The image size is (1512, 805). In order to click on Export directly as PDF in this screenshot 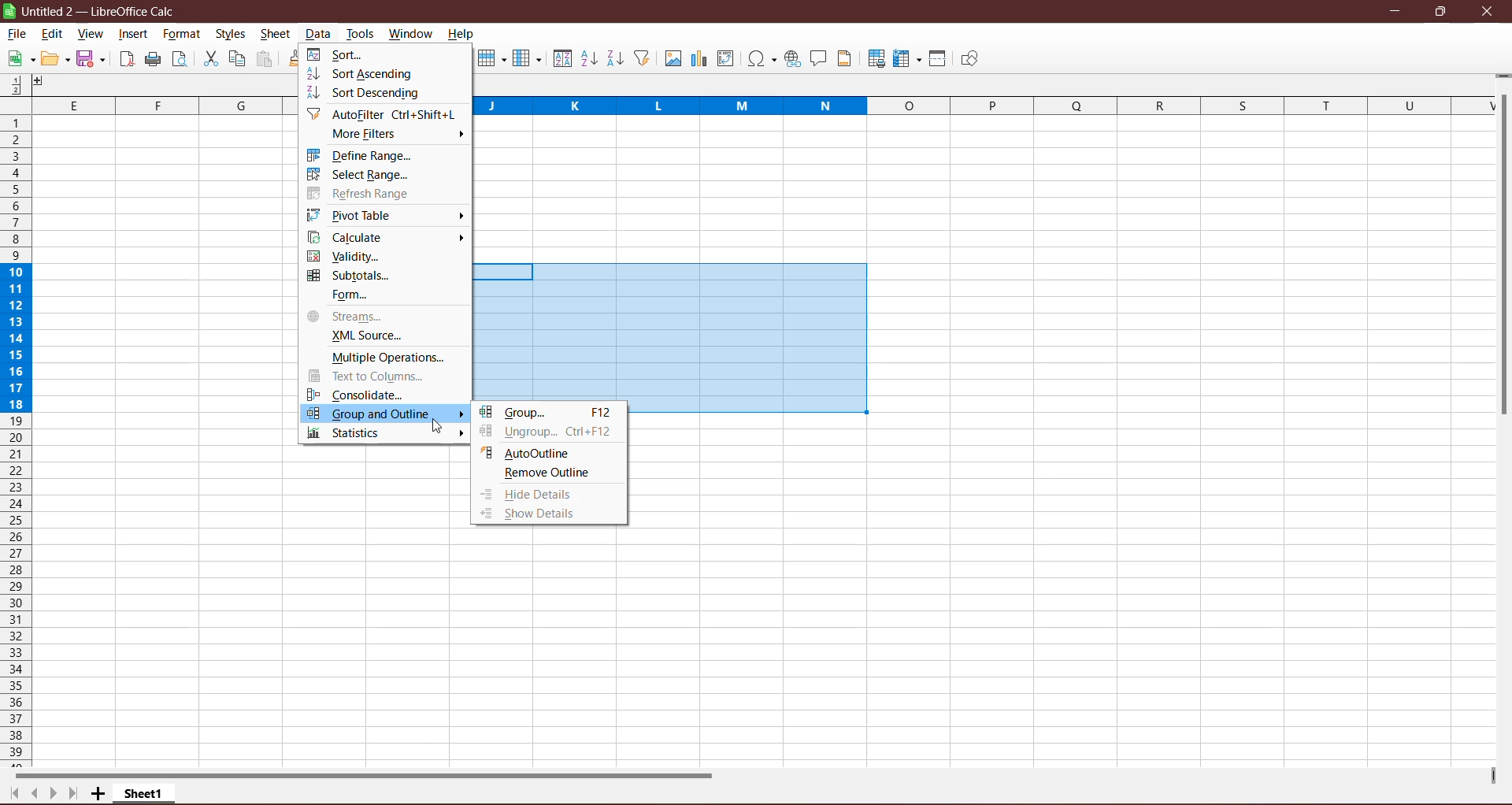, I will do `click(125, 61)`.